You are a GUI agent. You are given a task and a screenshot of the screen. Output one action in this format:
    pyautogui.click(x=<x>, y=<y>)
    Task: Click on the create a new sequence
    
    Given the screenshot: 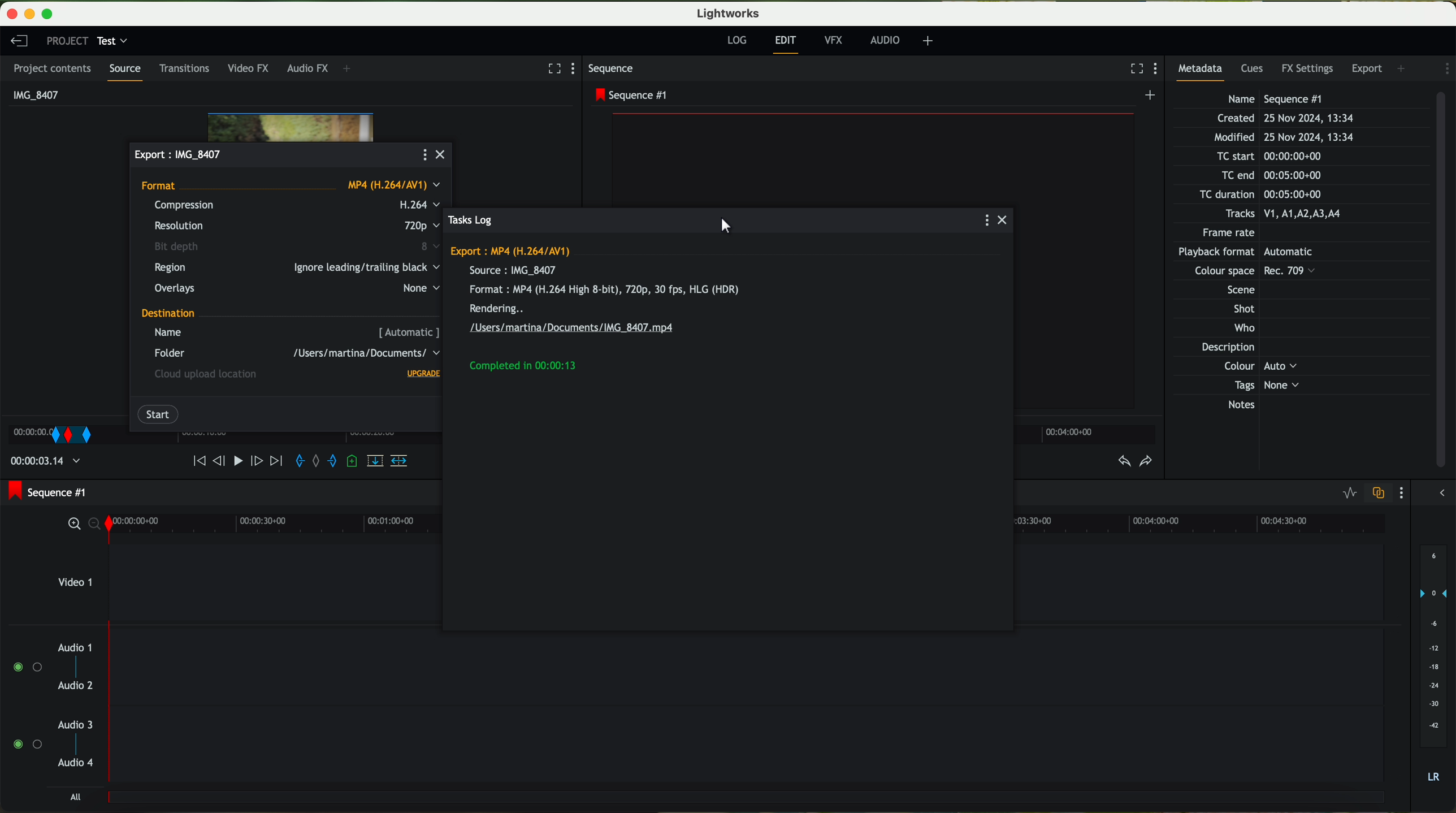 What is the action you would take?
    pyautogui.click(x=1151, y=97)
    